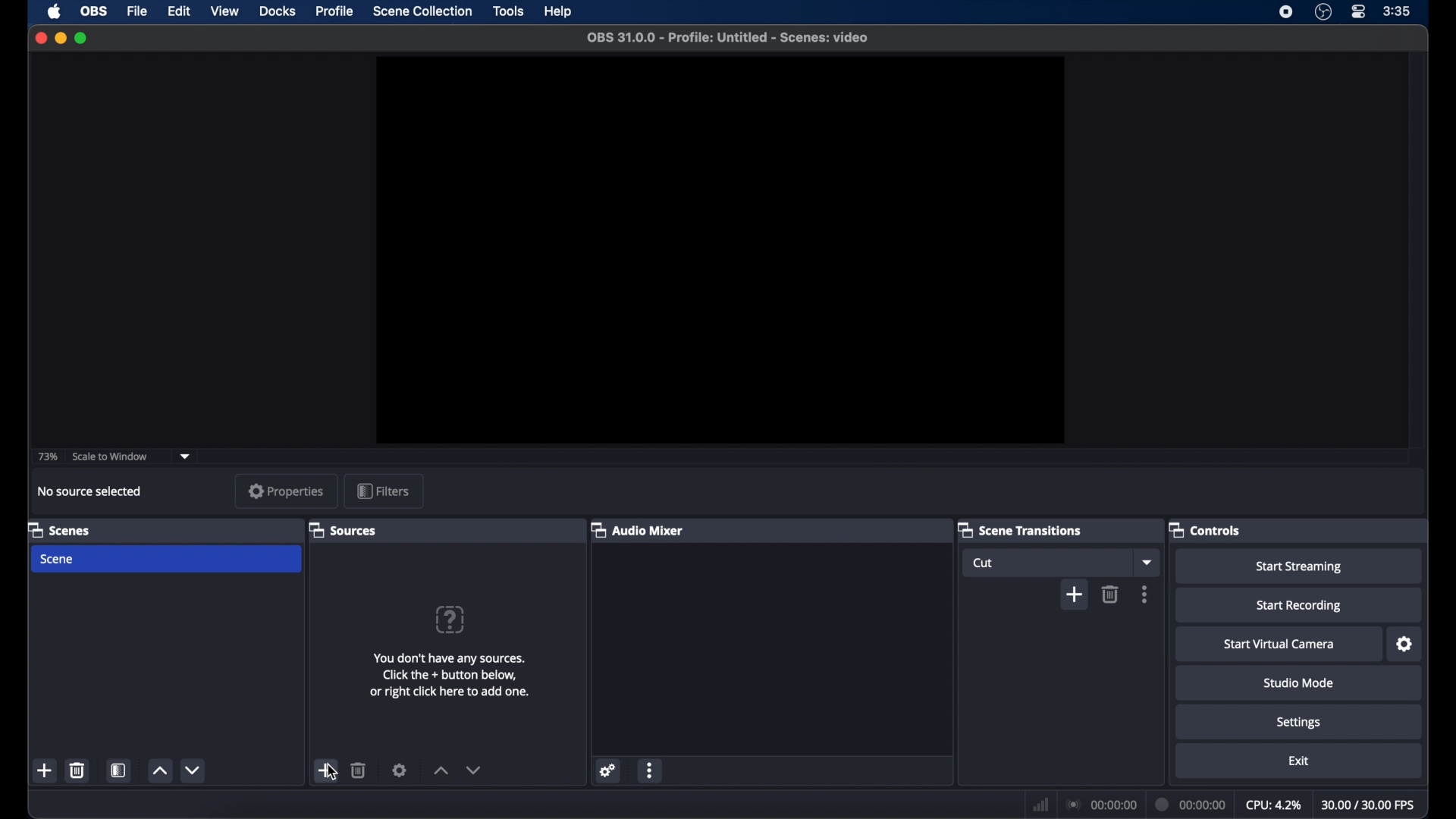  What do you see at coordinates (359, 770) in the screenshot?
I see `delete` at bounding box center [359, 770].